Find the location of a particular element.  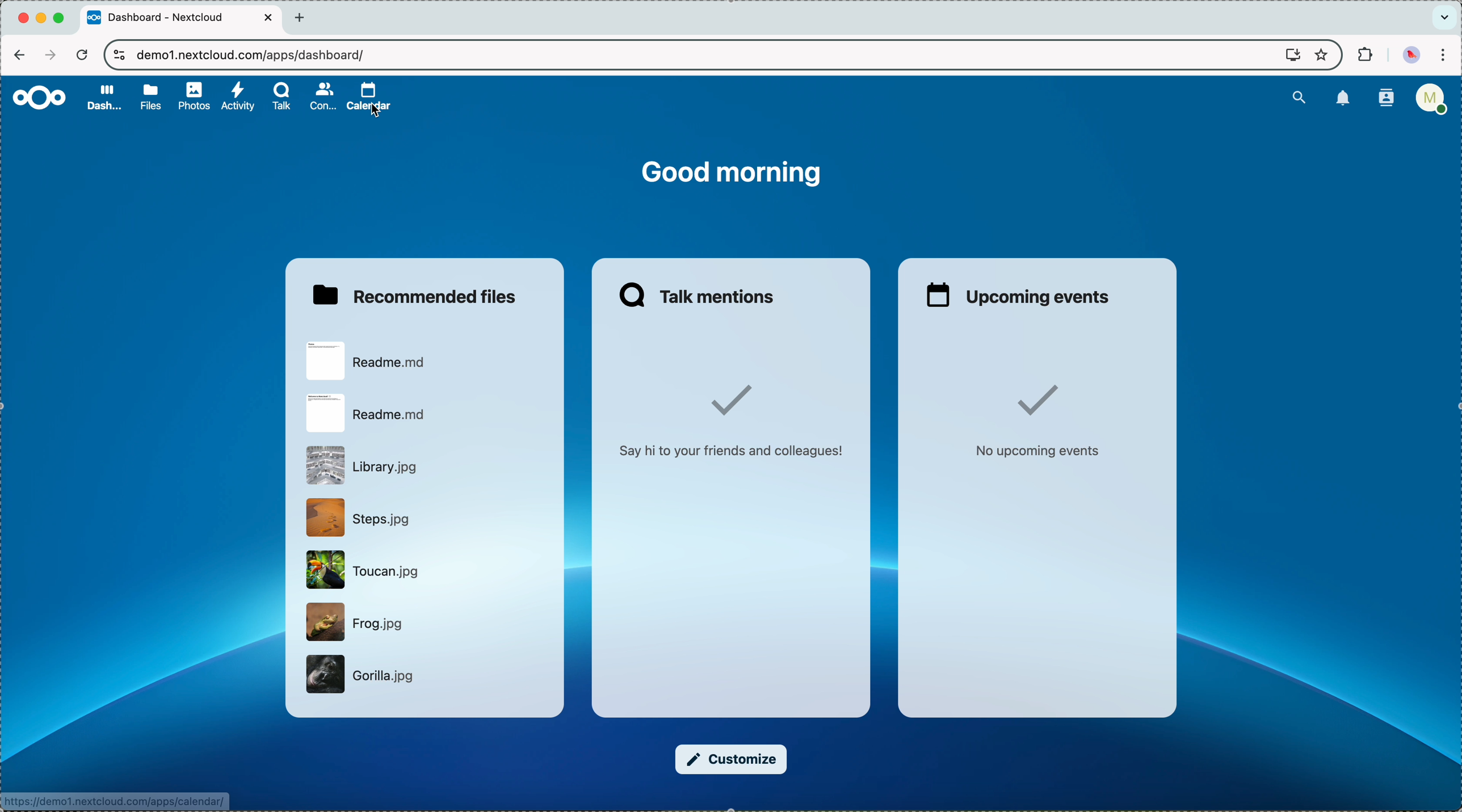

file is located at coordinates (364, 466).